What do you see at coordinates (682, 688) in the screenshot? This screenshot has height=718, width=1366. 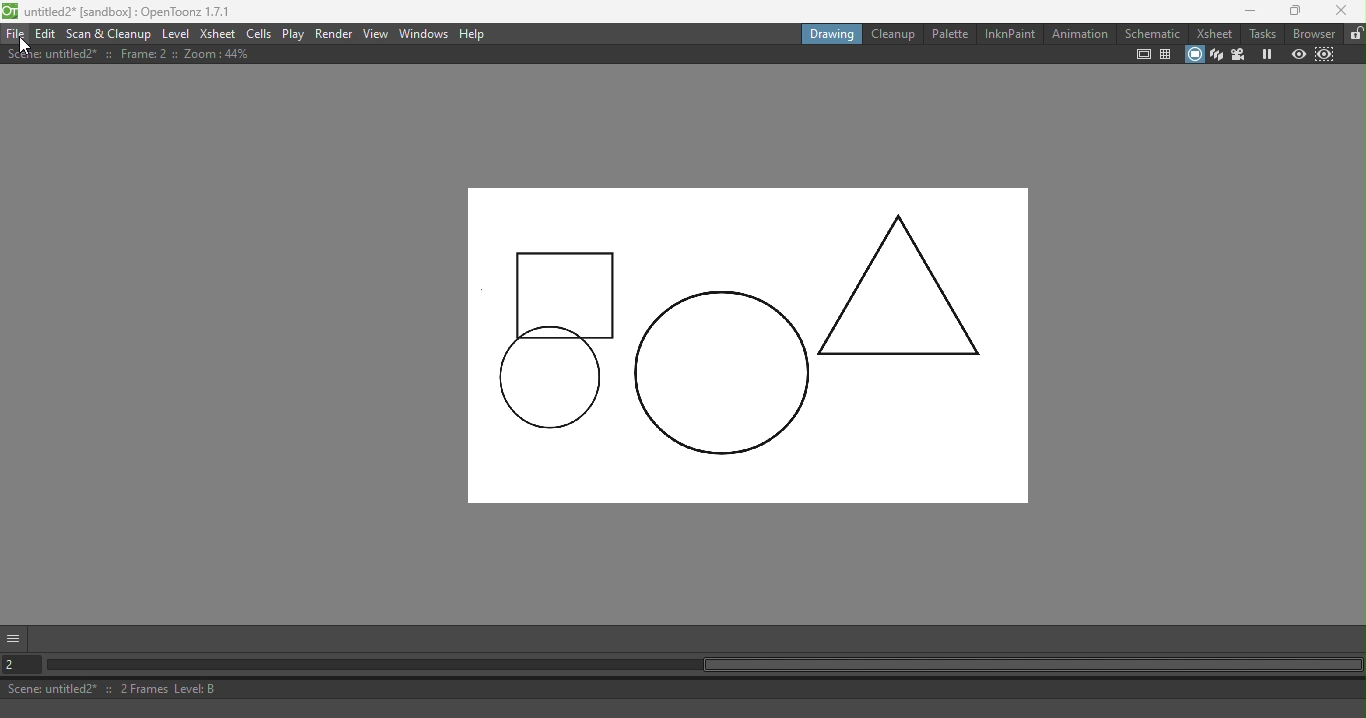 I see `Scene: untitled2* :: 2 Frames Level: B` at bounding box center [682, 688].